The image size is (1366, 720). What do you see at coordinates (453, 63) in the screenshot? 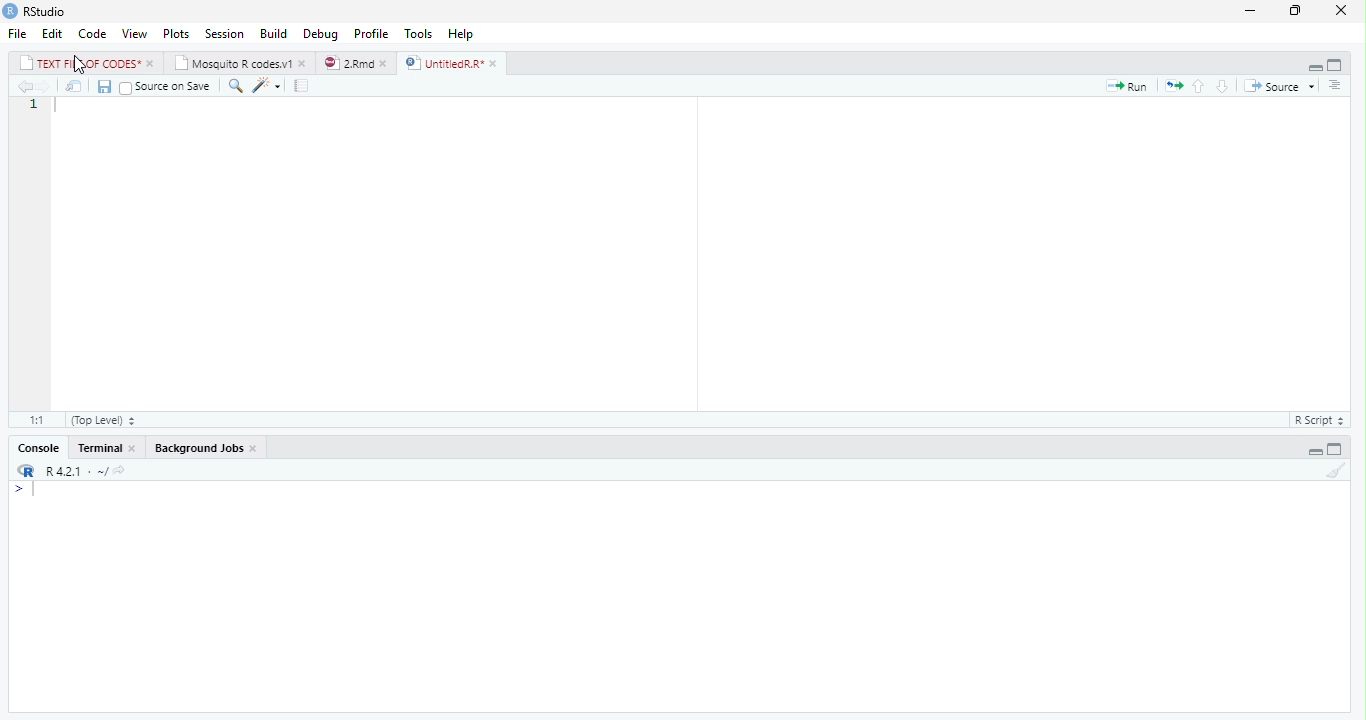
I see `UntitiedR.R` at bounding box center [453, 63].